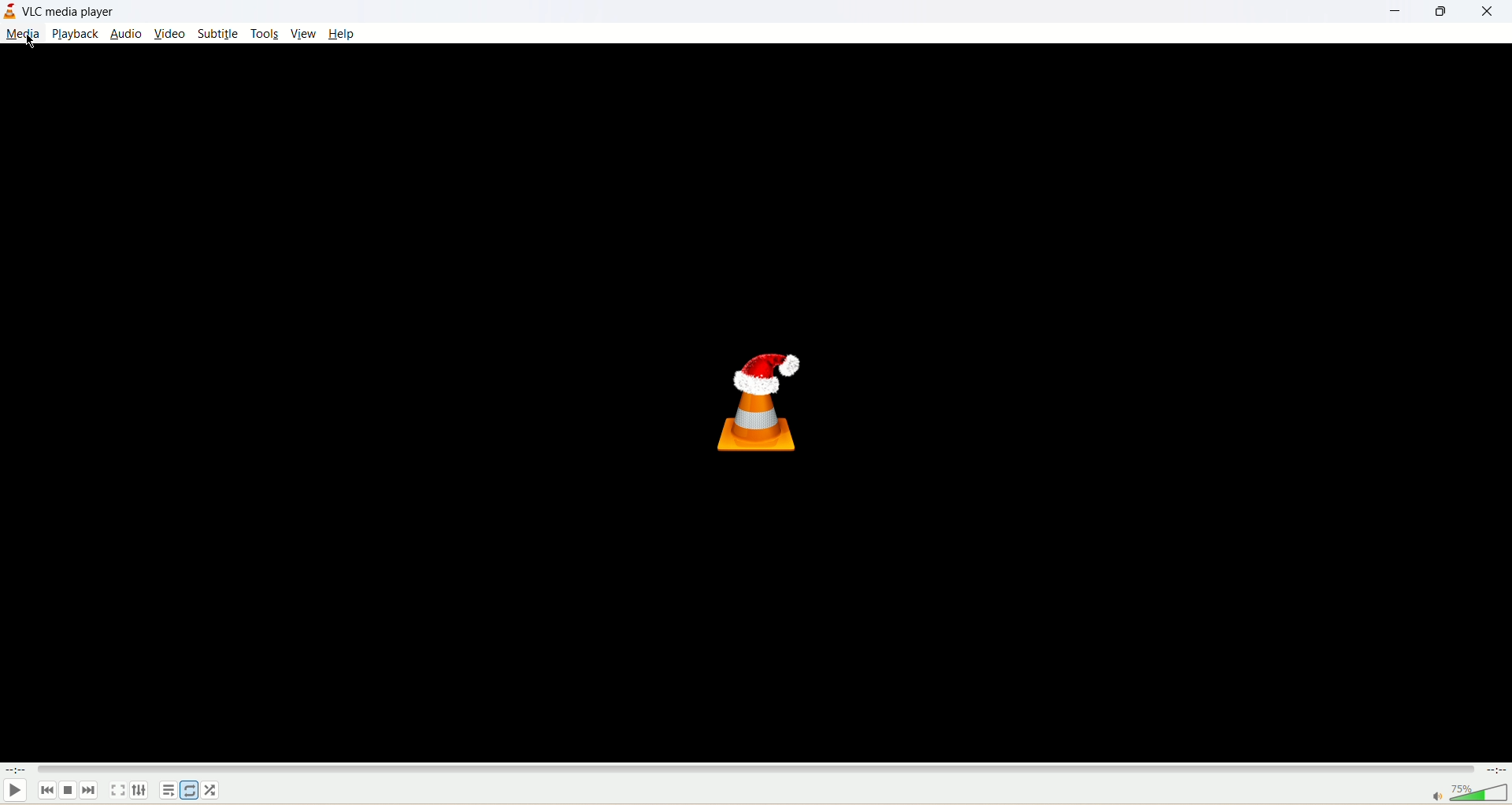 This screenshot has height=805, width=1512. Describe the element at coordinates (66, 792) in the screenshot. I see `stop` at that location.